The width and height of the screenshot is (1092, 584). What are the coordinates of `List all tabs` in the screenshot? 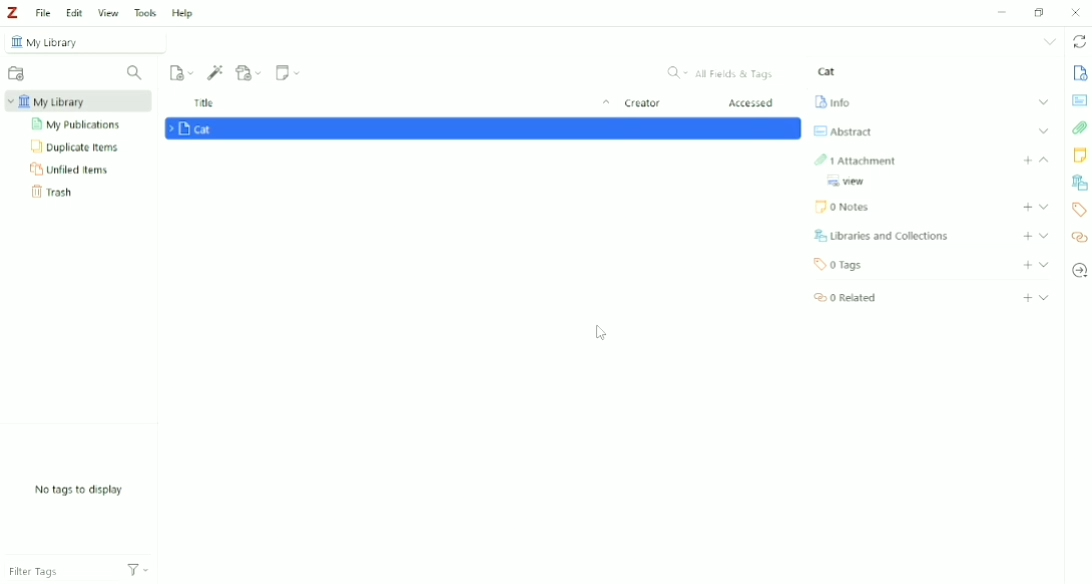 It's located at (1051, 41).